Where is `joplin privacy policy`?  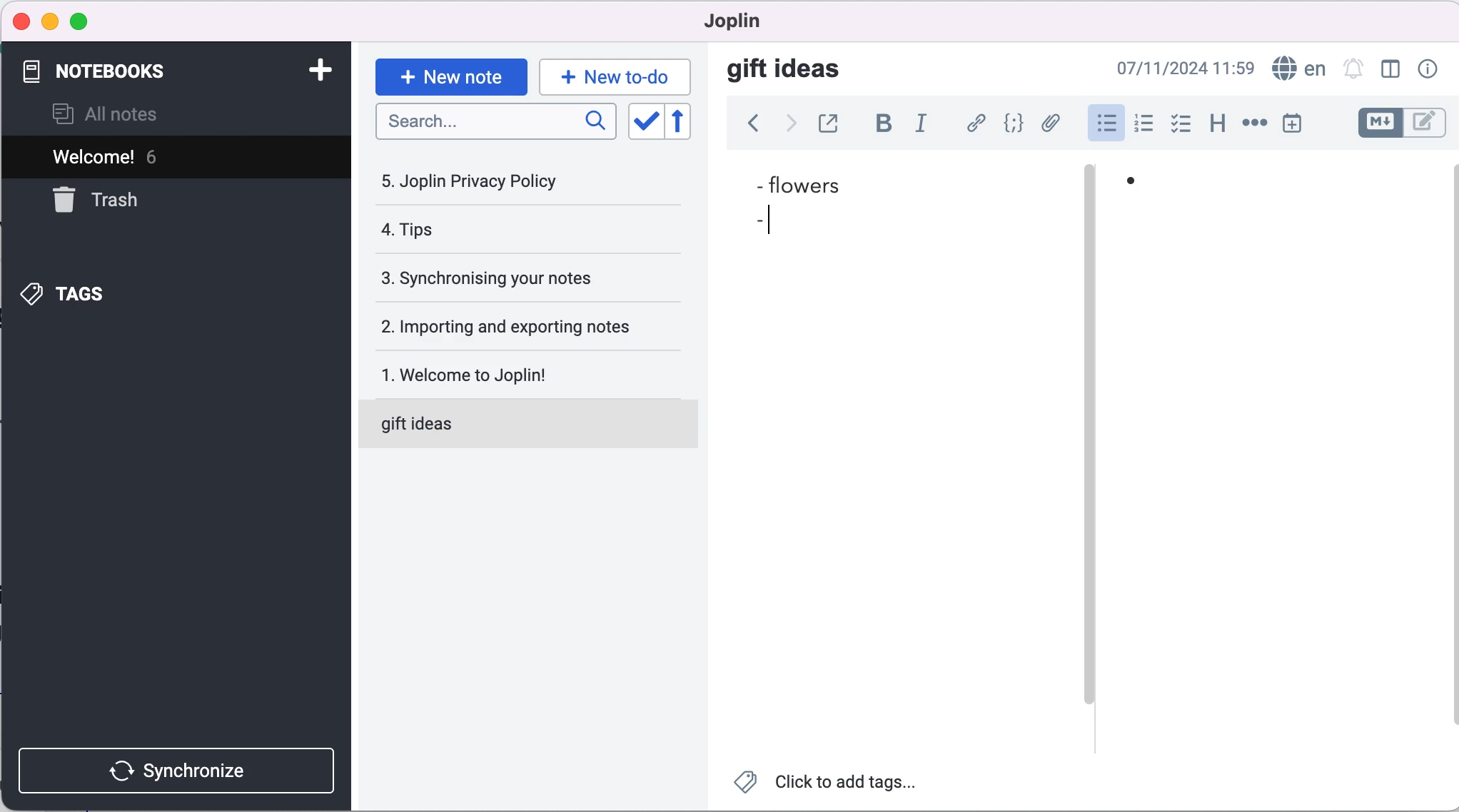
joplin privacy policy is located at coordinates (480, 181).